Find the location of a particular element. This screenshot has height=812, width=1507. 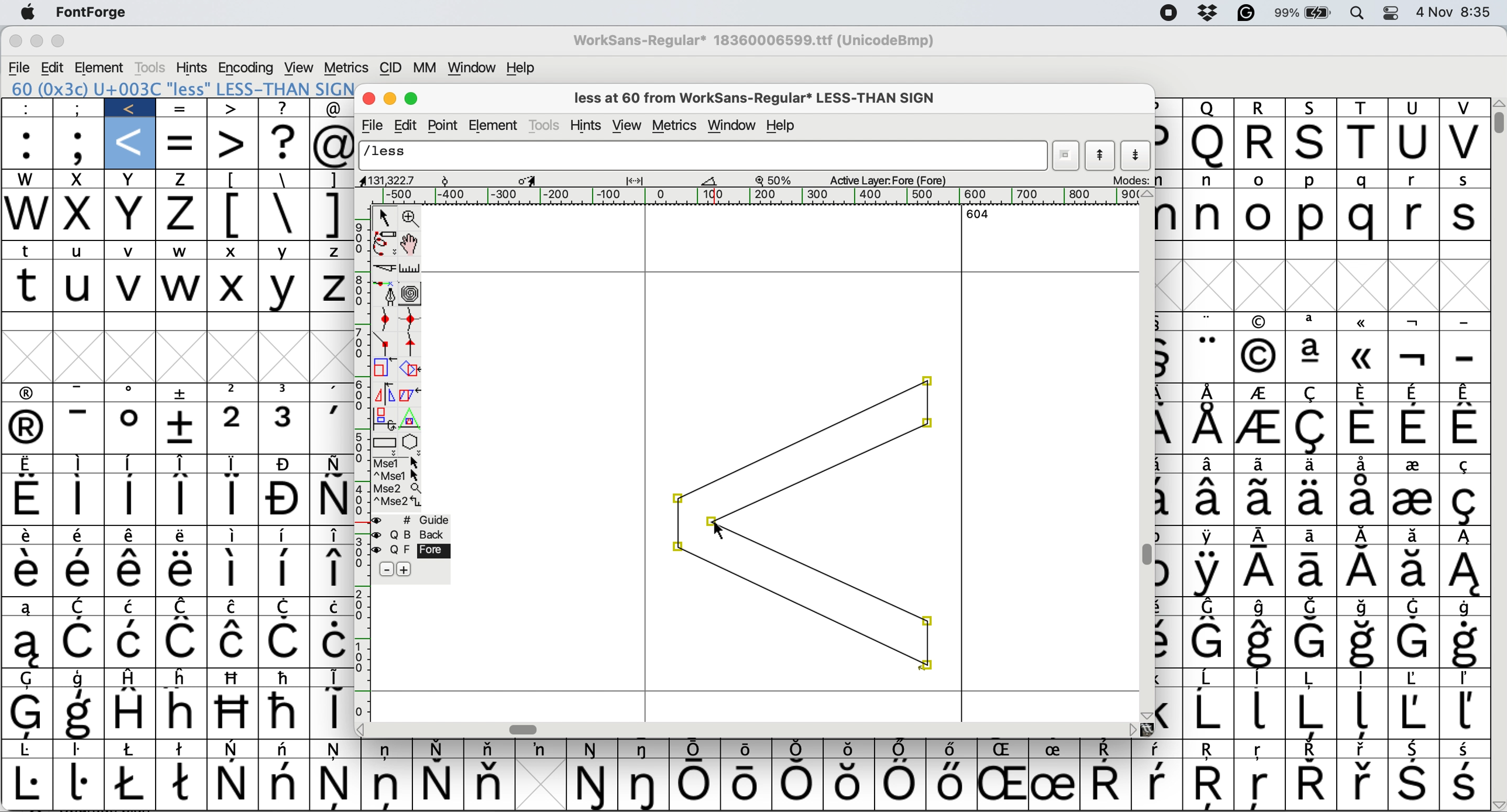

Symbol is located at coordinates (1167, 537).